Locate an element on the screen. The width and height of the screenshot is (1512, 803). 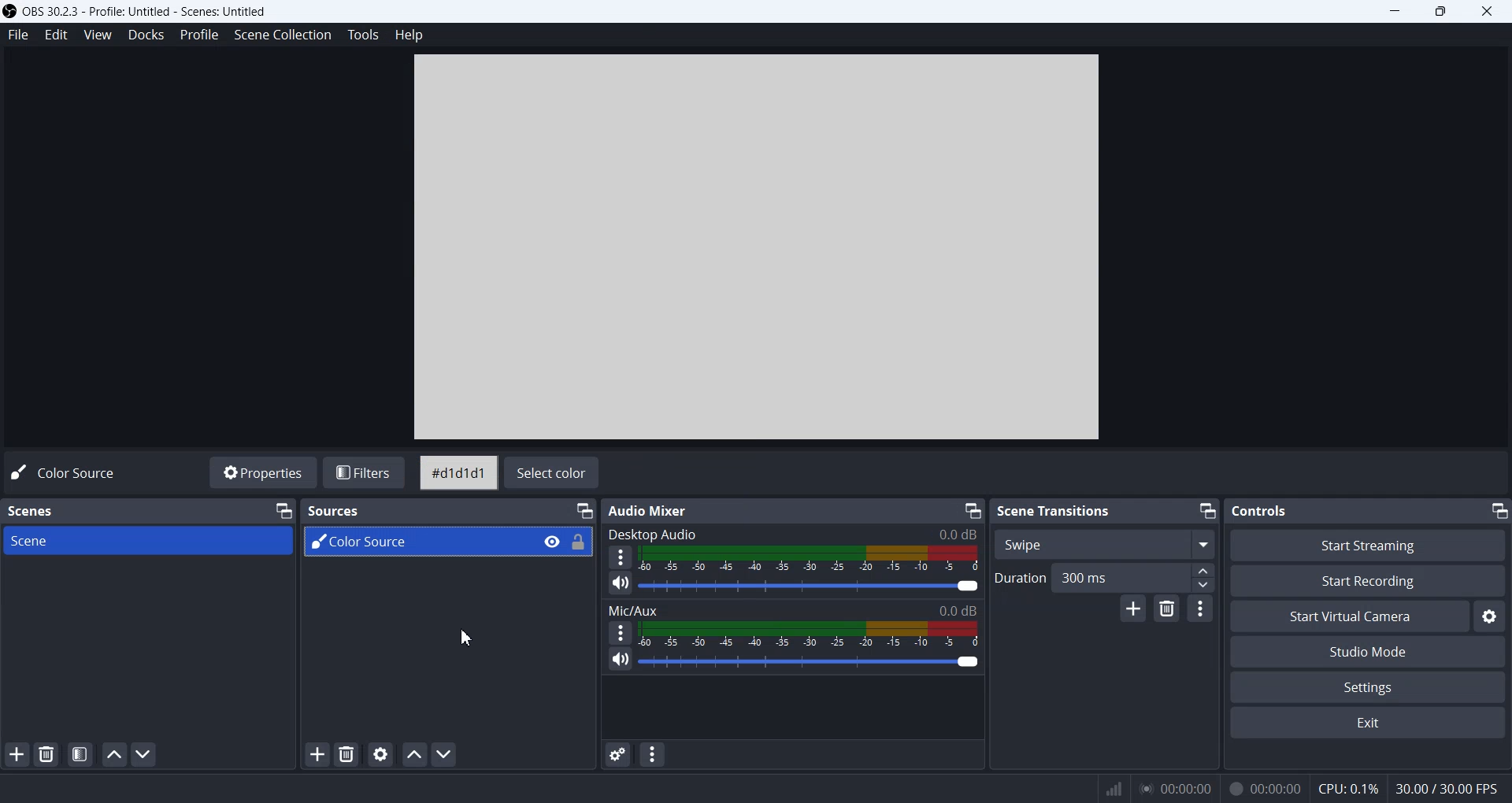
File is located at coordinates (17, 36).